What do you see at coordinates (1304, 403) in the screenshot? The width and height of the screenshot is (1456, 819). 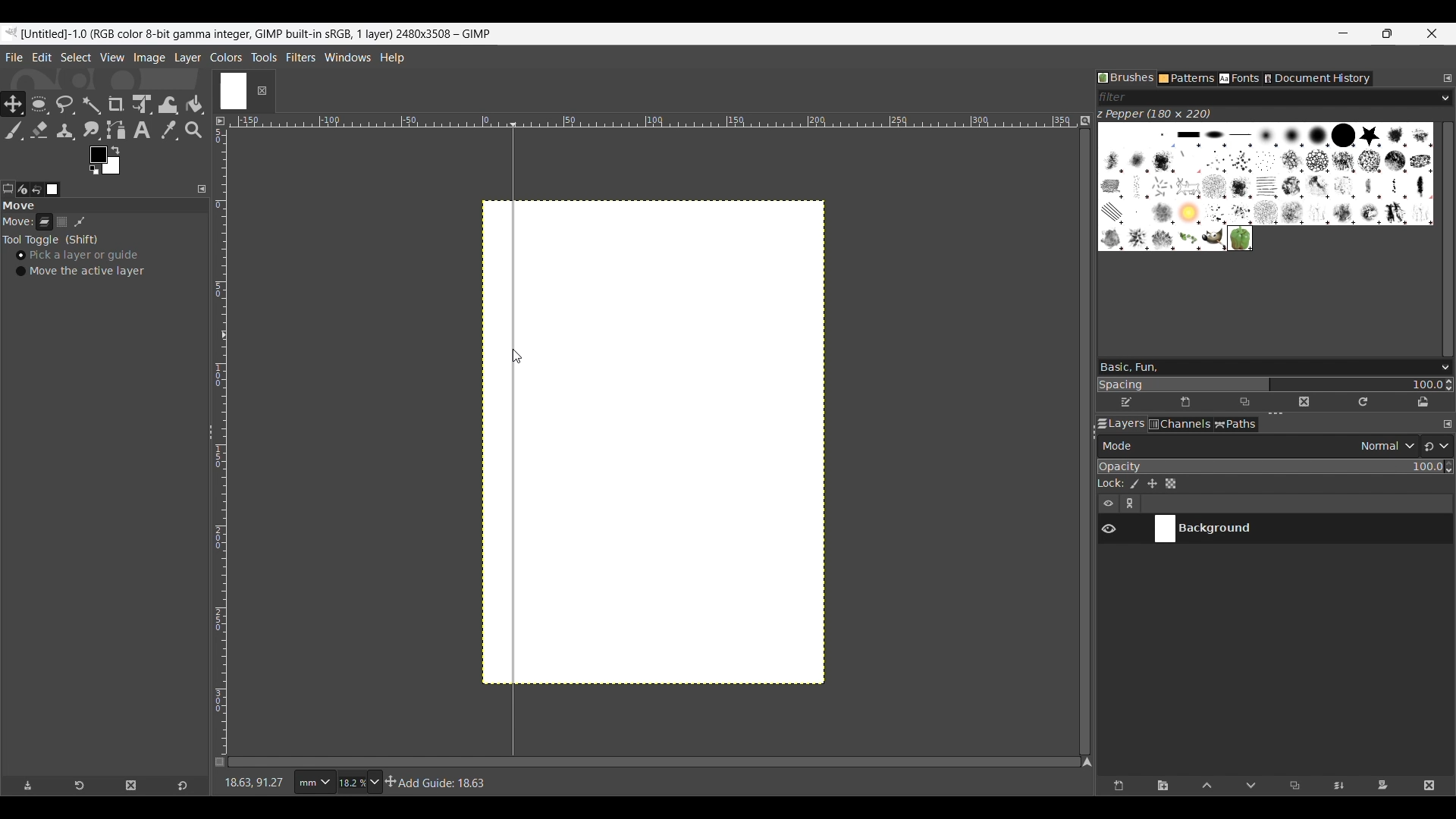 I see `Delete this brush` at bounding box center [1304, 403].